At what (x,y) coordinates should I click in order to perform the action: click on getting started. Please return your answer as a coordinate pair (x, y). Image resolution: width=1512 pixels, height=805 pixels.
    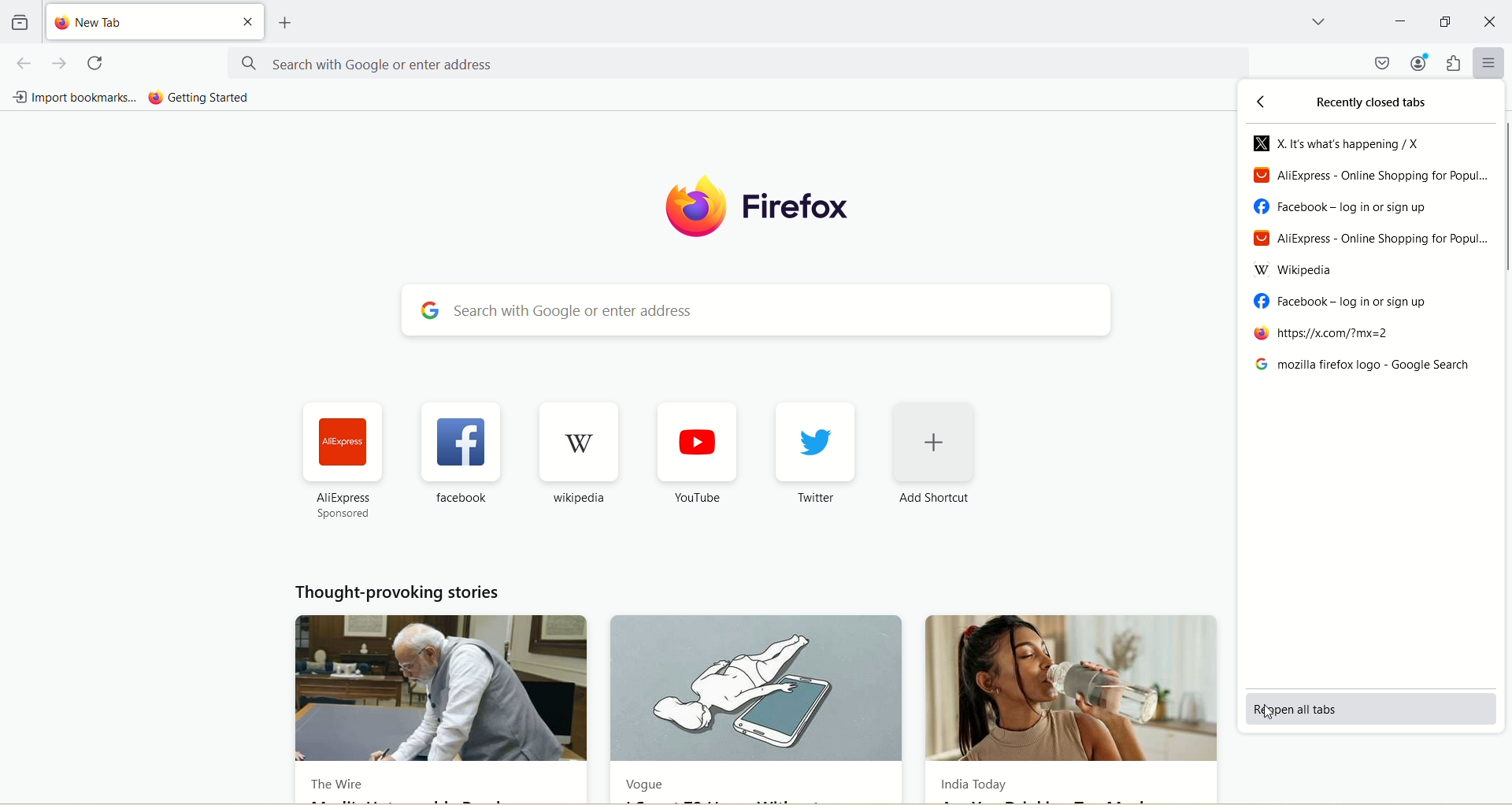
    Looking at the image, I should click on (204, 98).